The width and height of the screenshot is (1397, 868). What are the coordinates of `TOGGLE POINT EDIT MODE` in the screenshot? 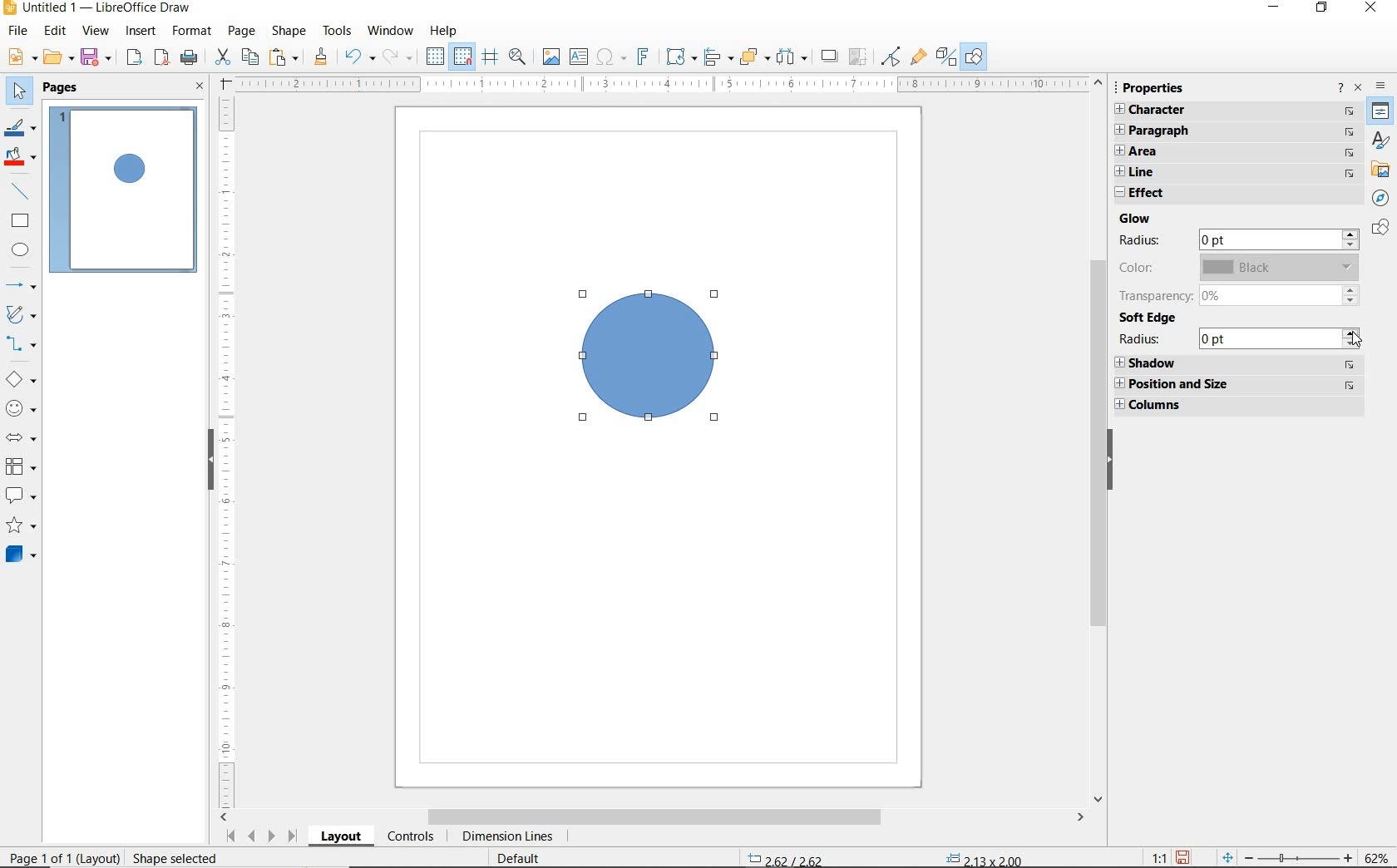 It's located at (891, 55).